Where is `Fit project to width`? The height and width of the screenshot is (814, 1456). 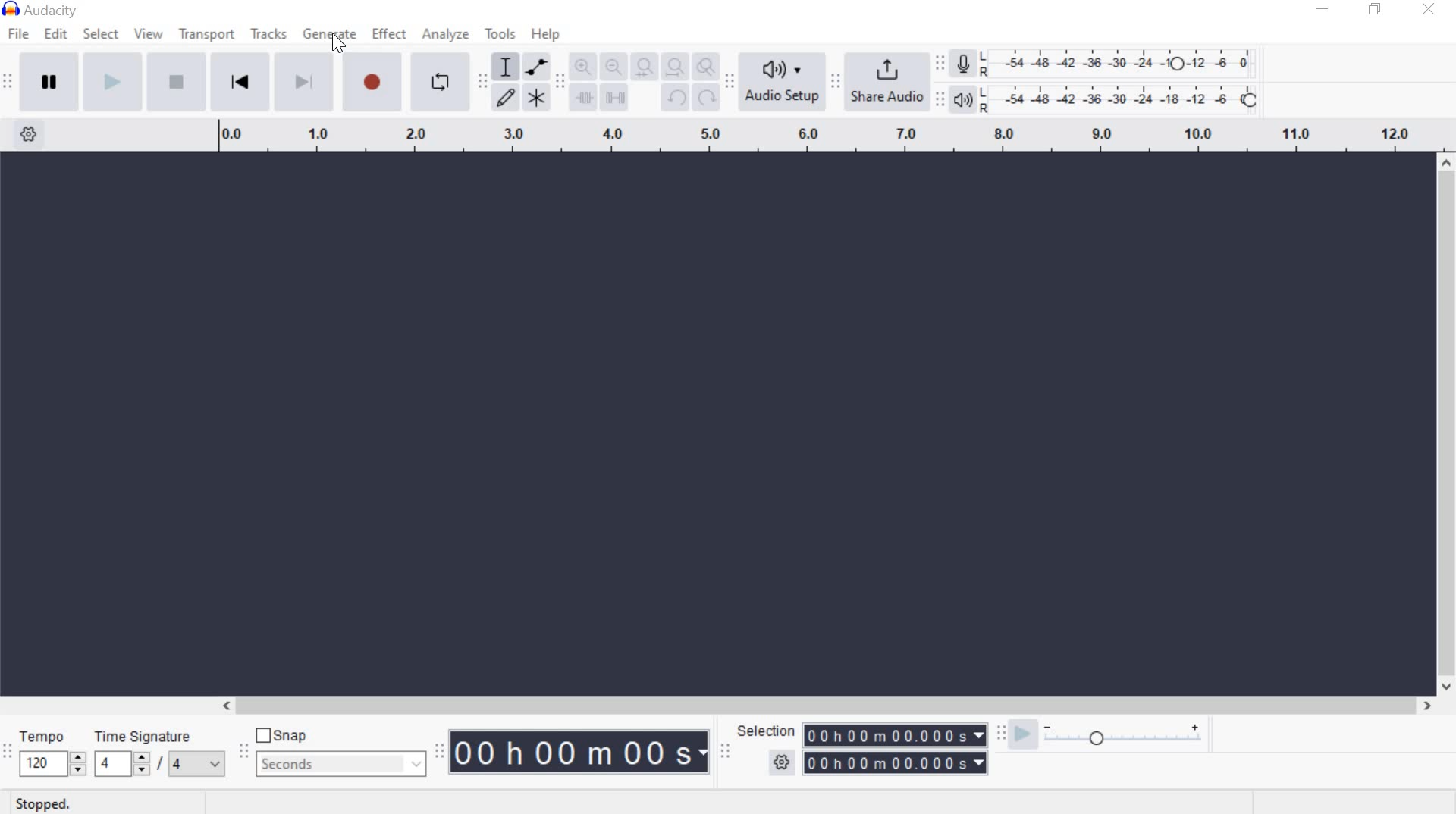 Fit project to width is located at coordinates (672, 65).